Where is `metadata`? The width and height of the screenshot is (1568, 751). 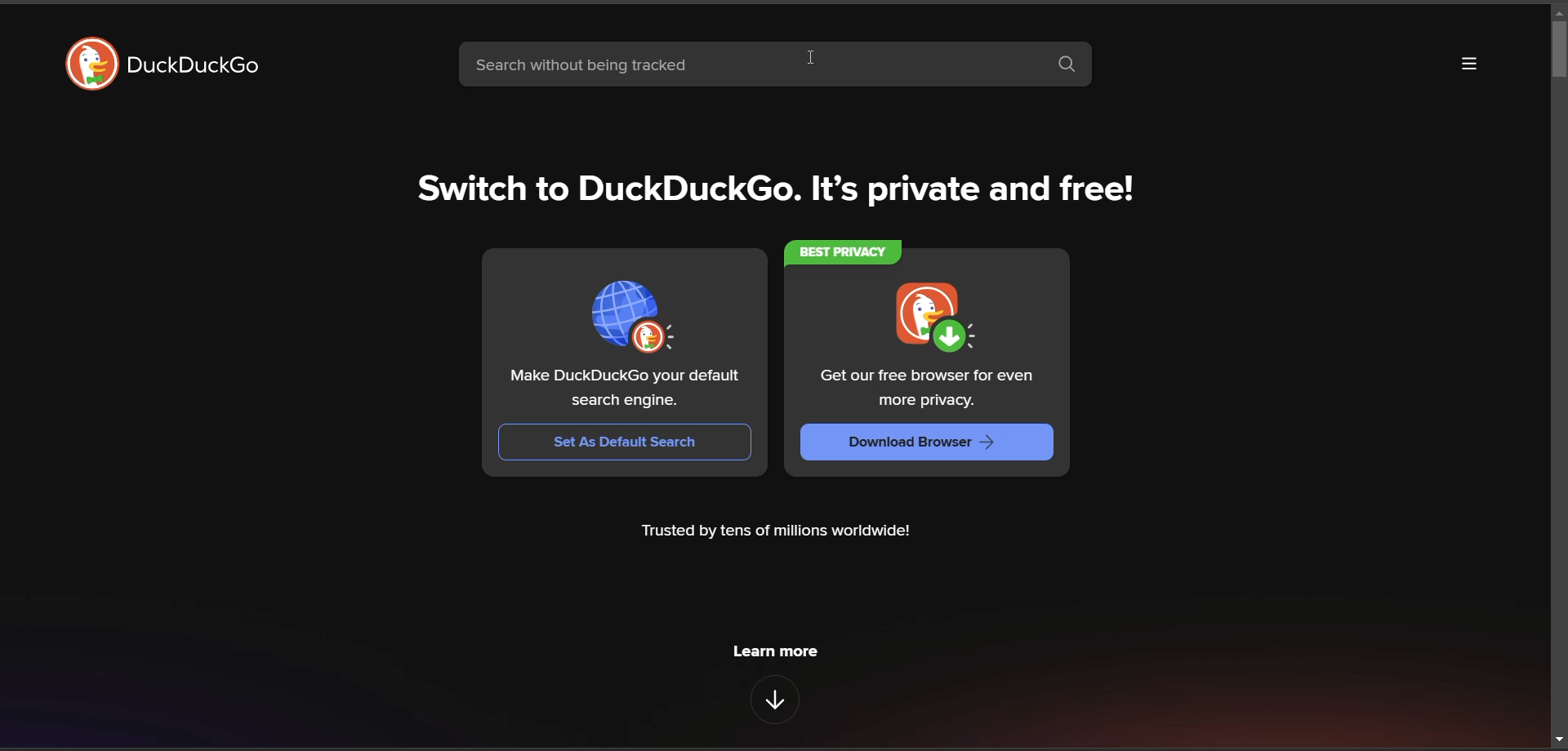 metadata is located at coordinates (774, 531).